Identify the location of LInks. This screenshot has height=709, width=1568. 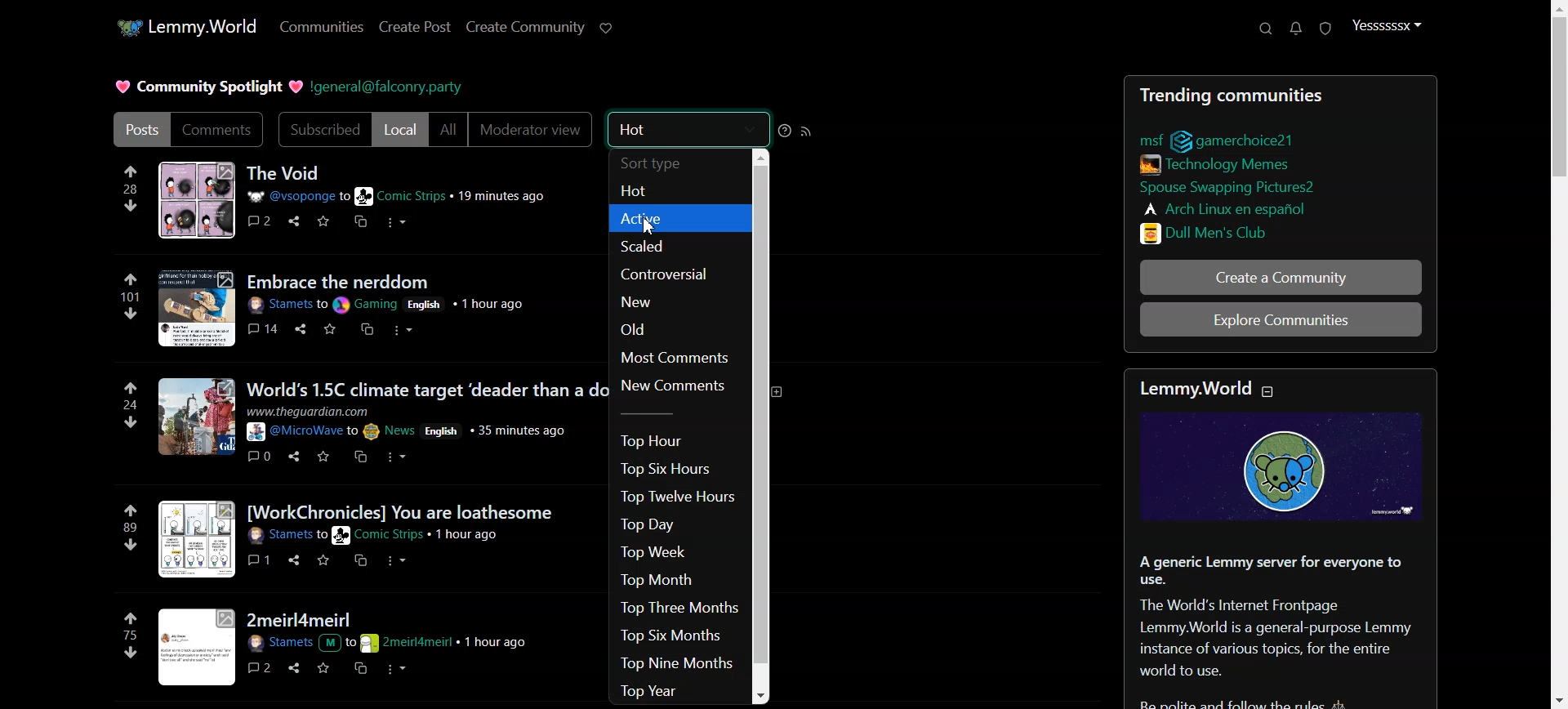
(1224, 207).